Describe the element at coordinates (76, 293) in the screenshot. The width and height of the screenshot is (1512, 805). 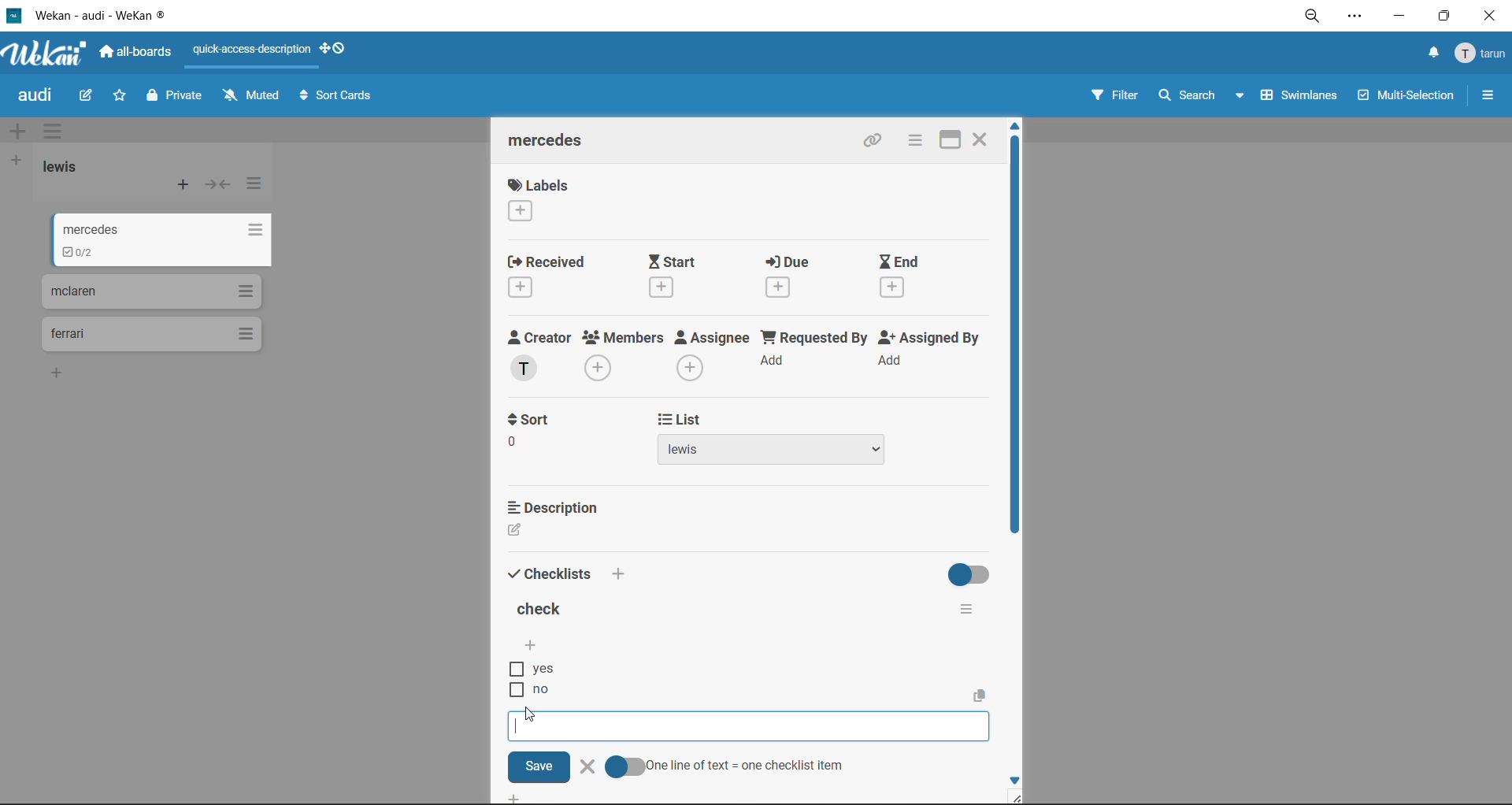
I see `mclaren` at that location.